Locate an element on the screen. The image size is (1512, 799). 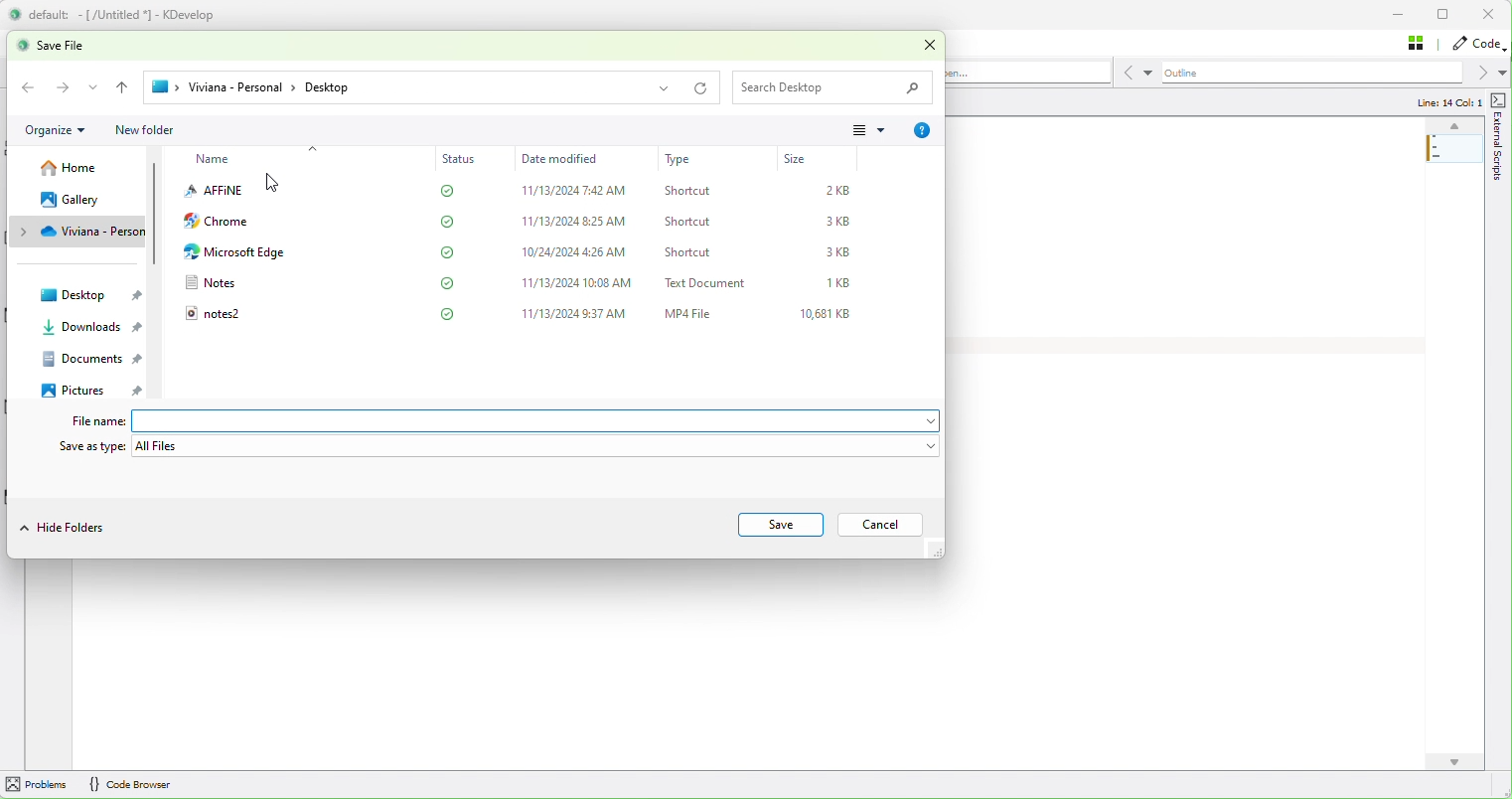
file name input is located at coordinates (536, 420).